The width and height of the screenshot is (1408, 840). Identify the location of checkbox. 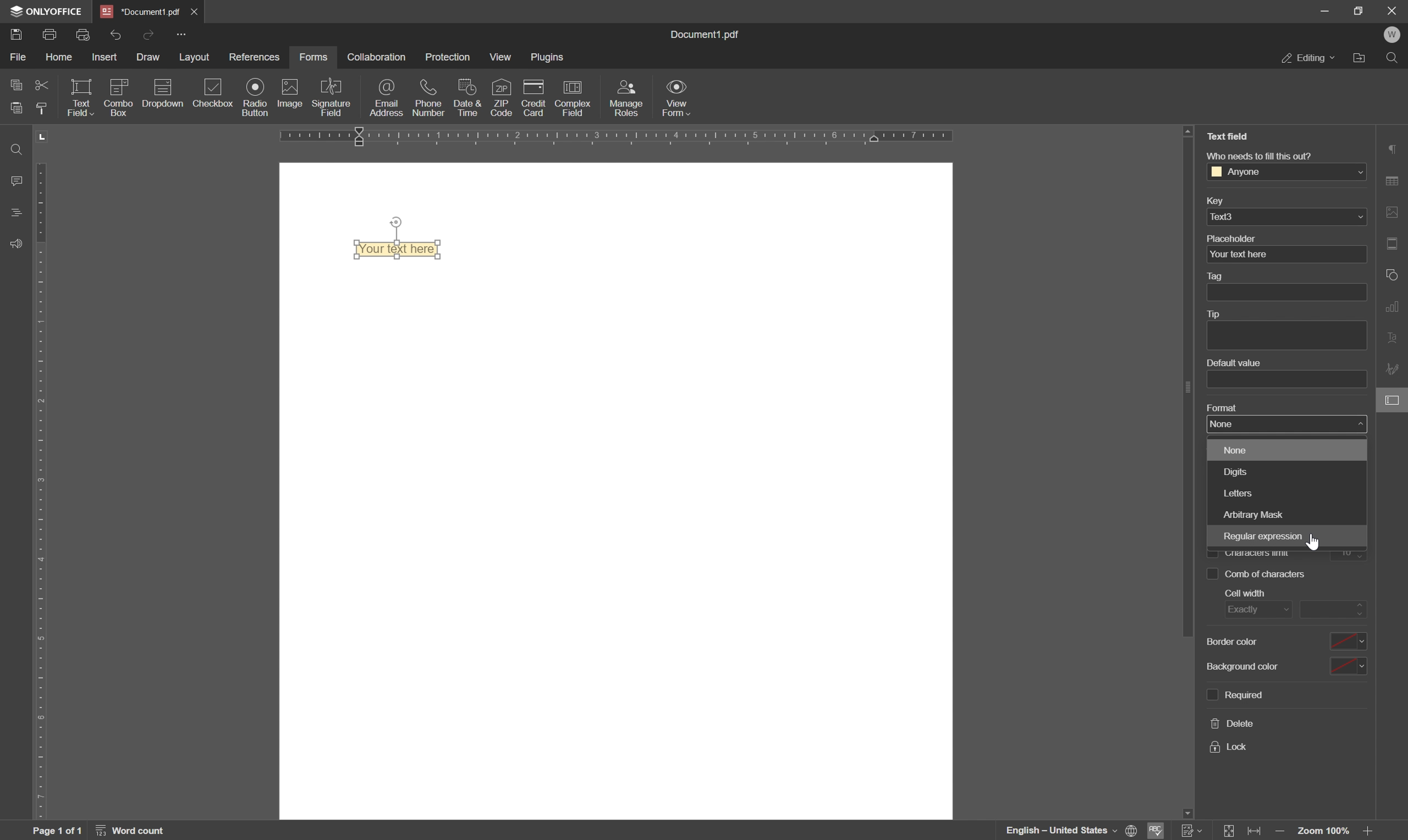
(1208, 695).